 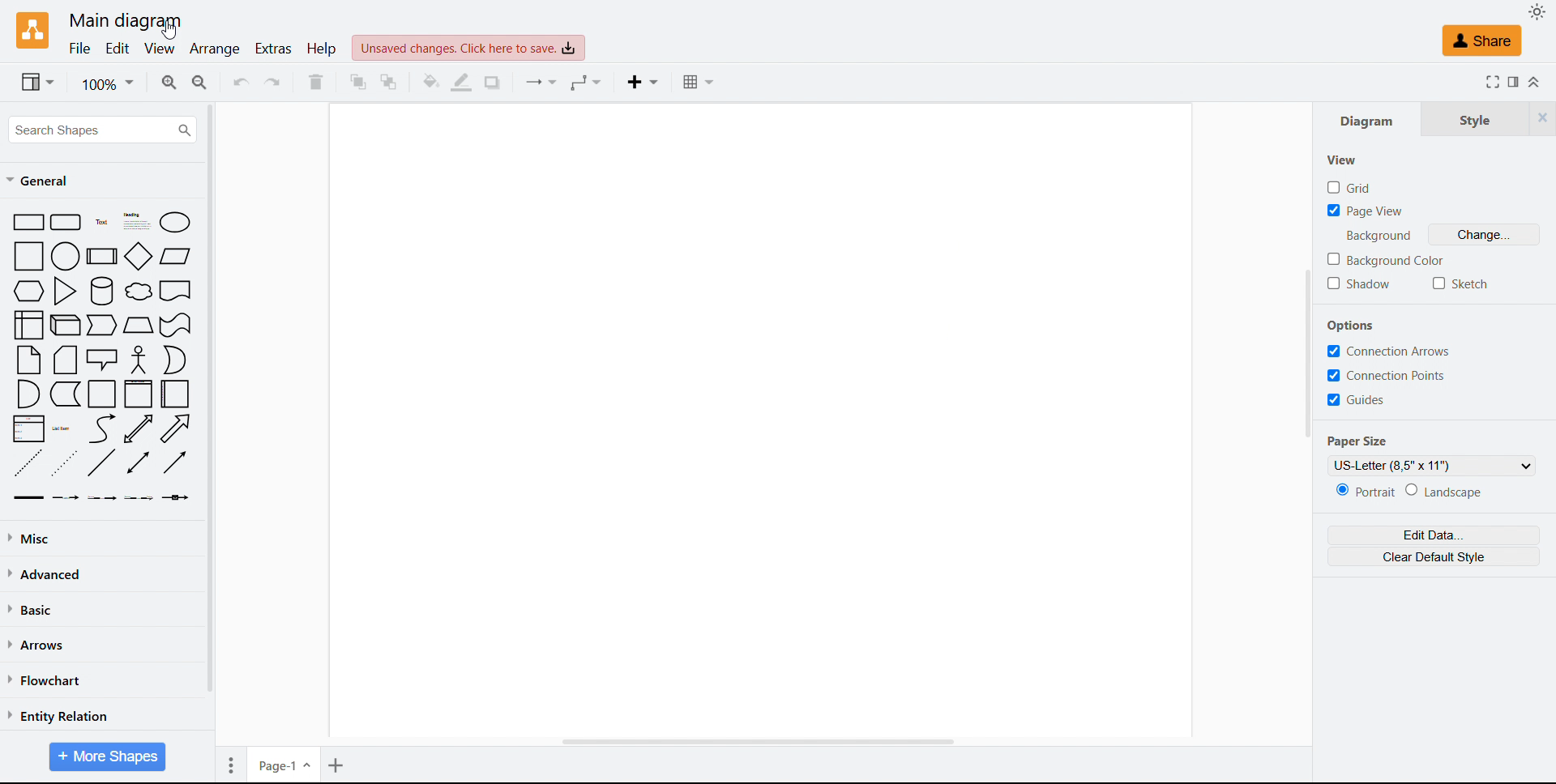 I want to click on Entity relation , so click(x=58, y=716).